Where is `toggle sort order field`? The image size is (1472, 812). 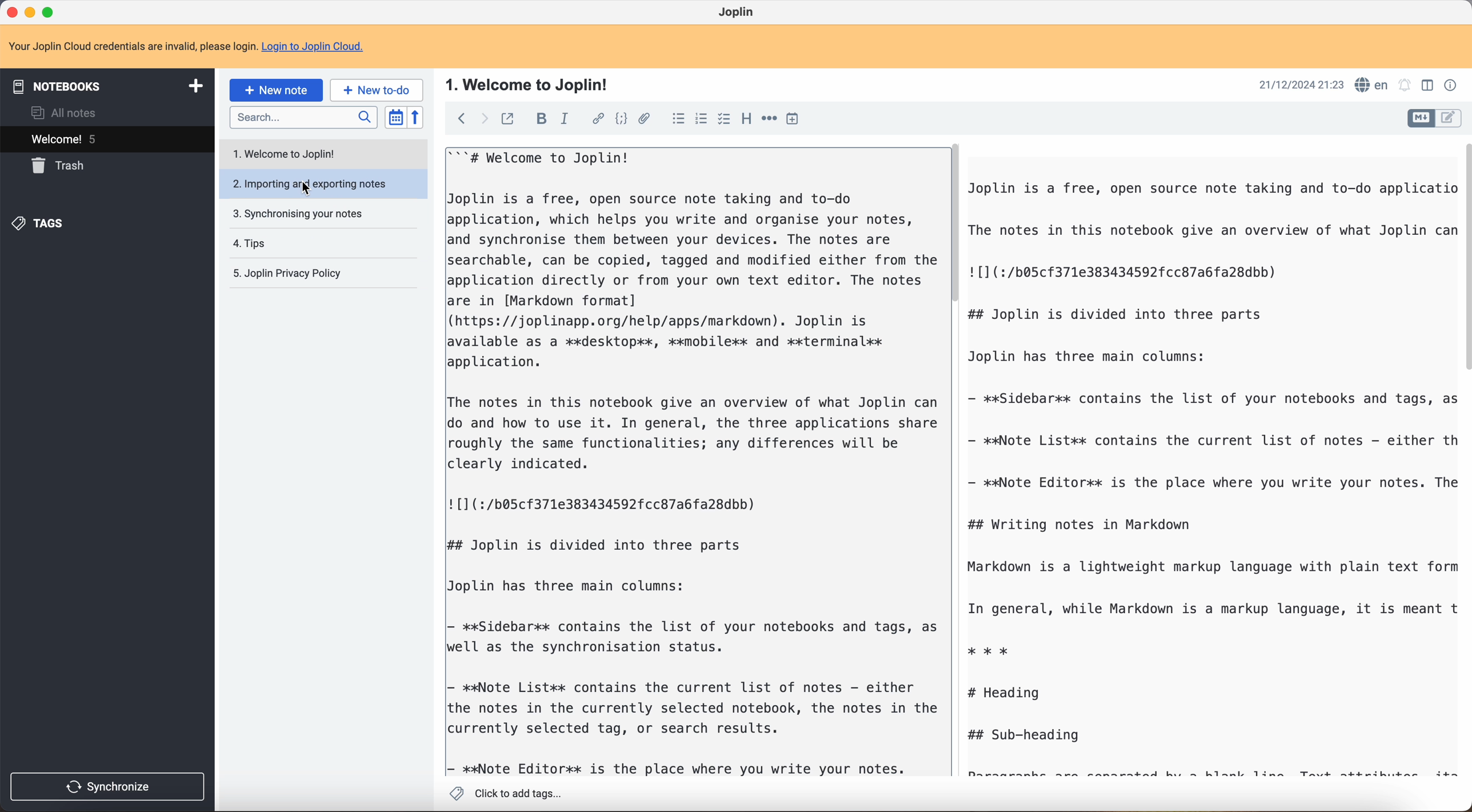
toggle sort order field is located at coordinates (394, 117).